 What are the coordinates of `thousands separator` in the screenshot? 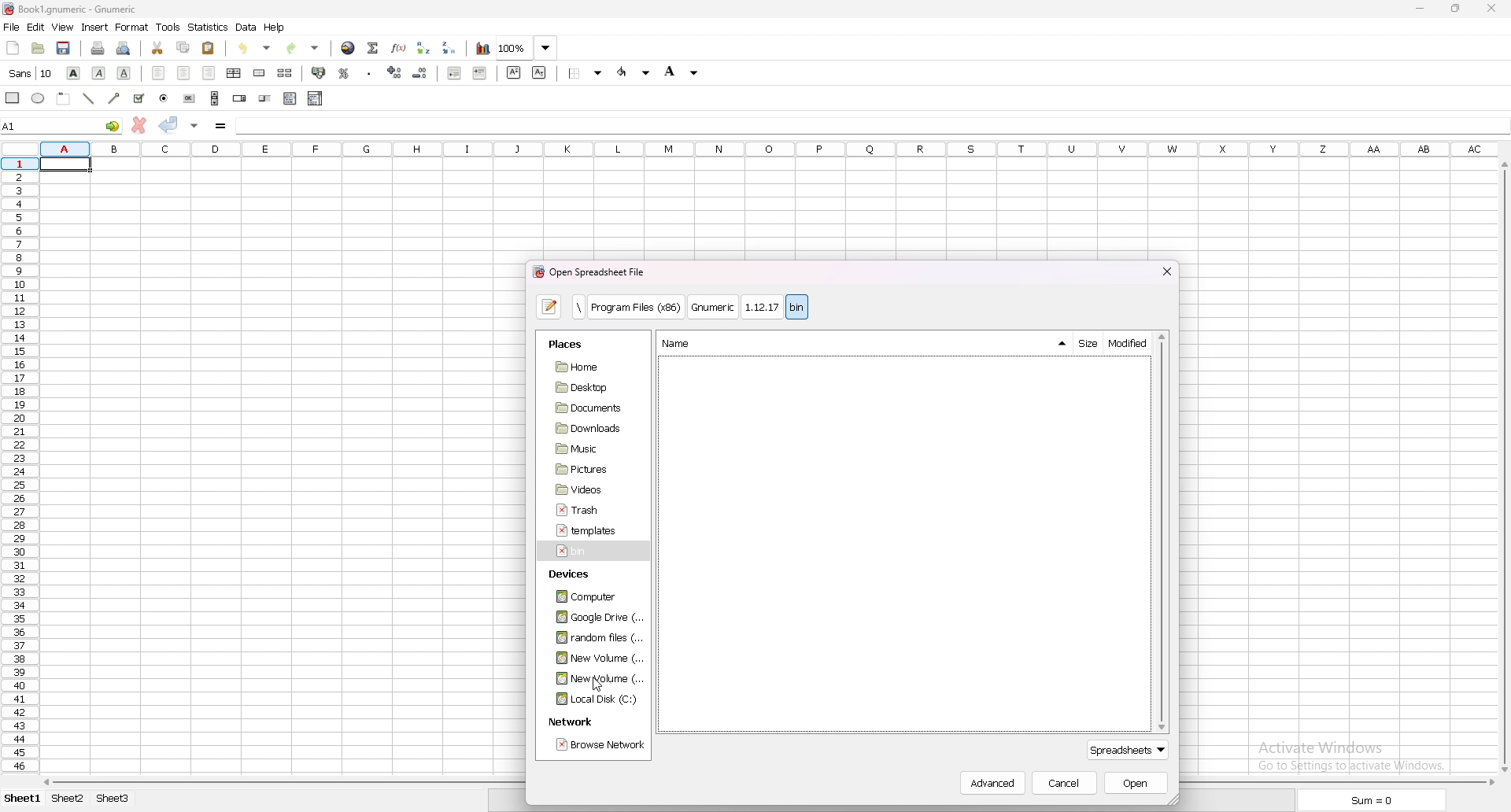 It's located at (369, 72).